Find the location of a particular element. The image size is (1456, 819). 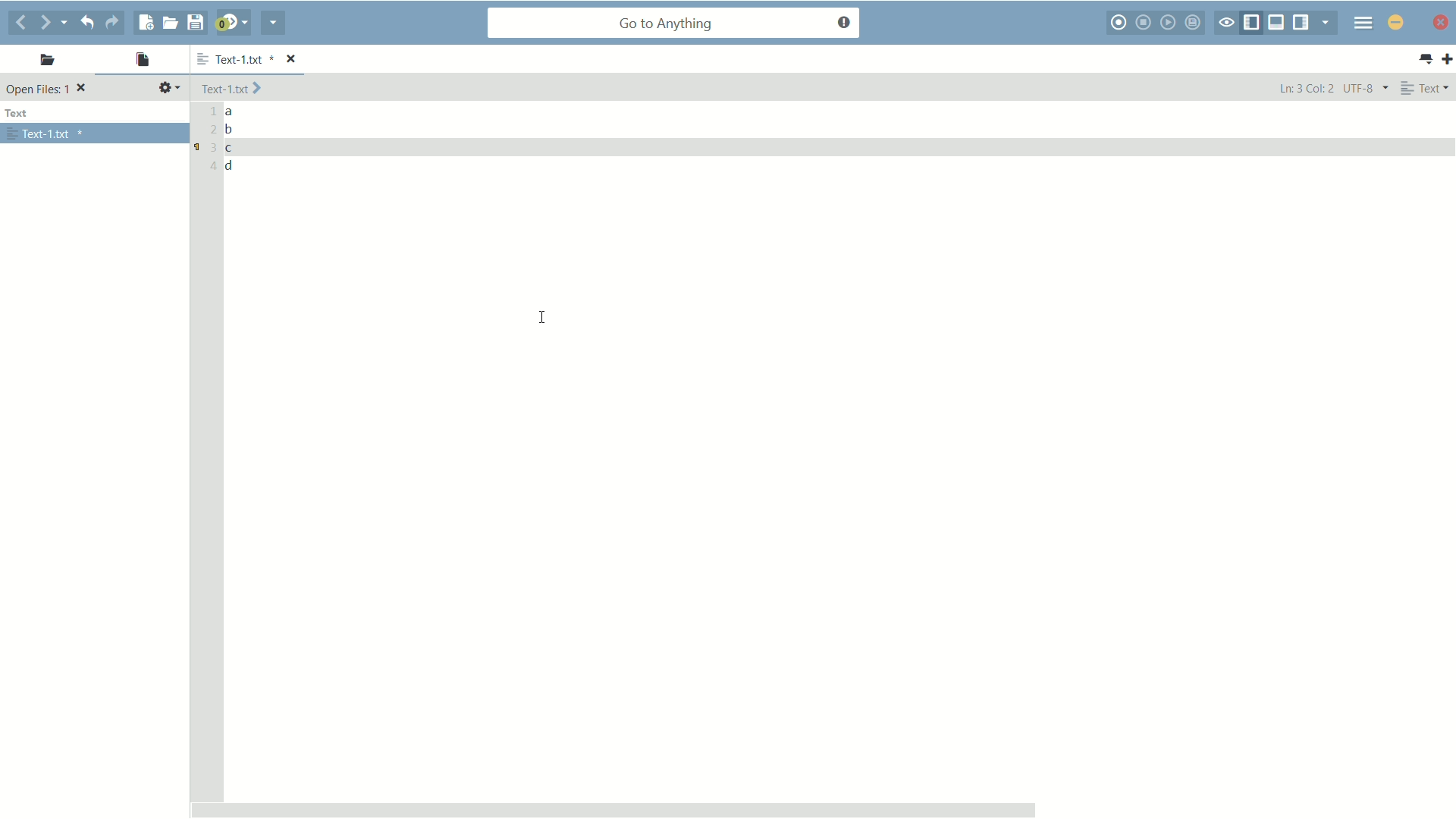

text is located at coordinates (20, 114).